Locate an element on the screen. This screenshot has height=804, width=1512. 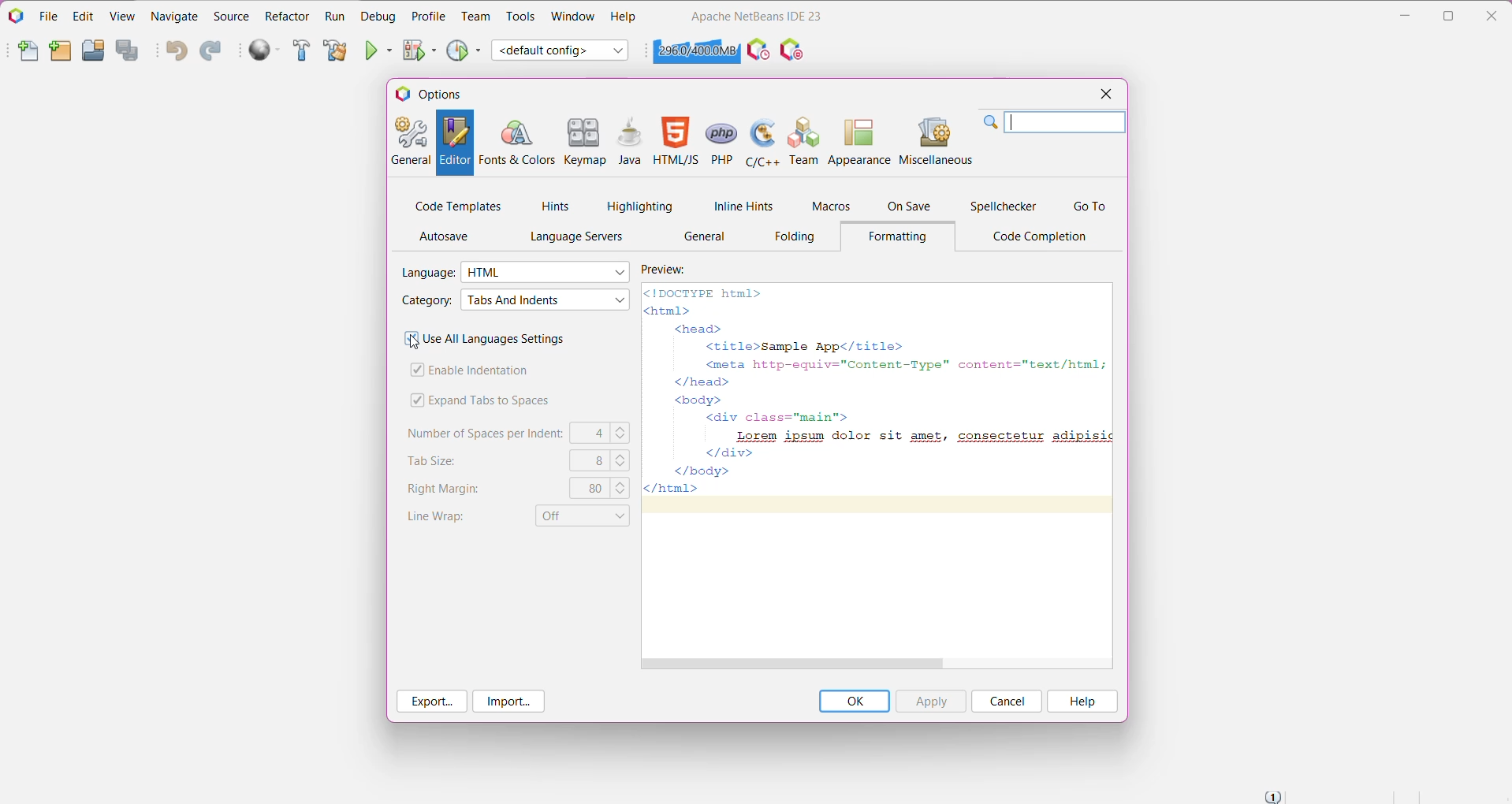
Close is located at coordinates (1495, 13).